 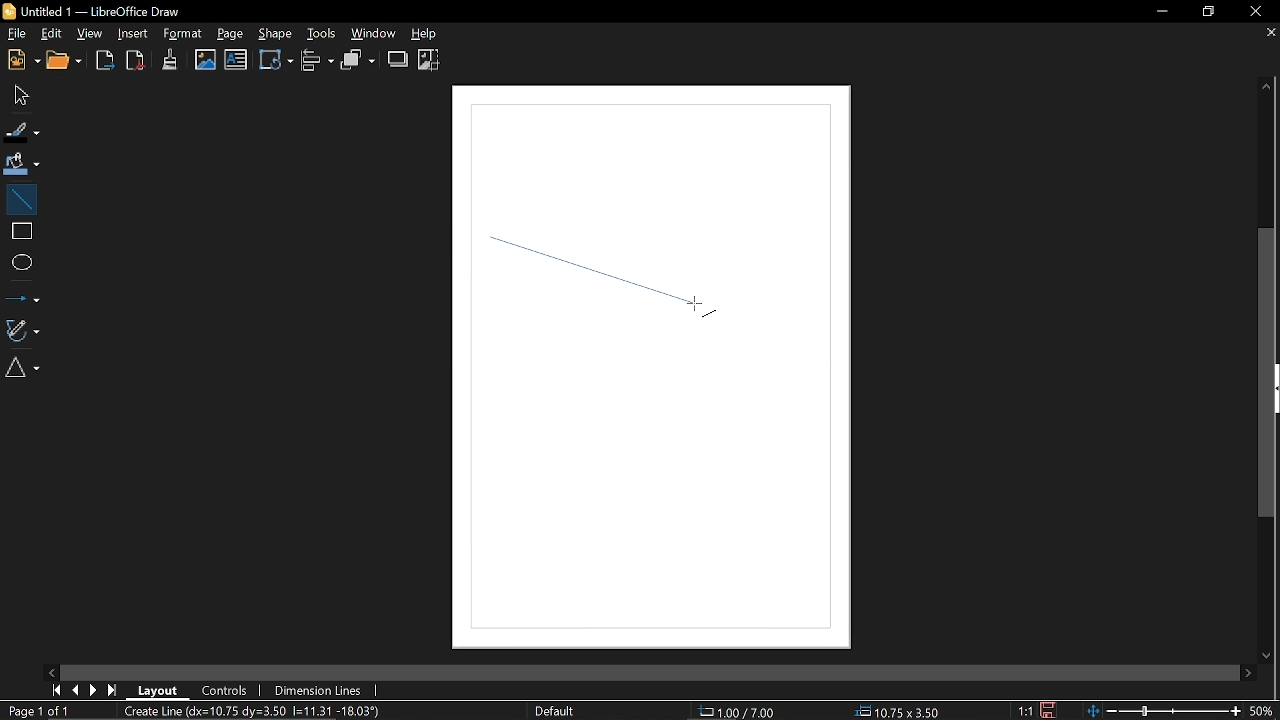 I want to click on Position, so click(x=742, y=711).